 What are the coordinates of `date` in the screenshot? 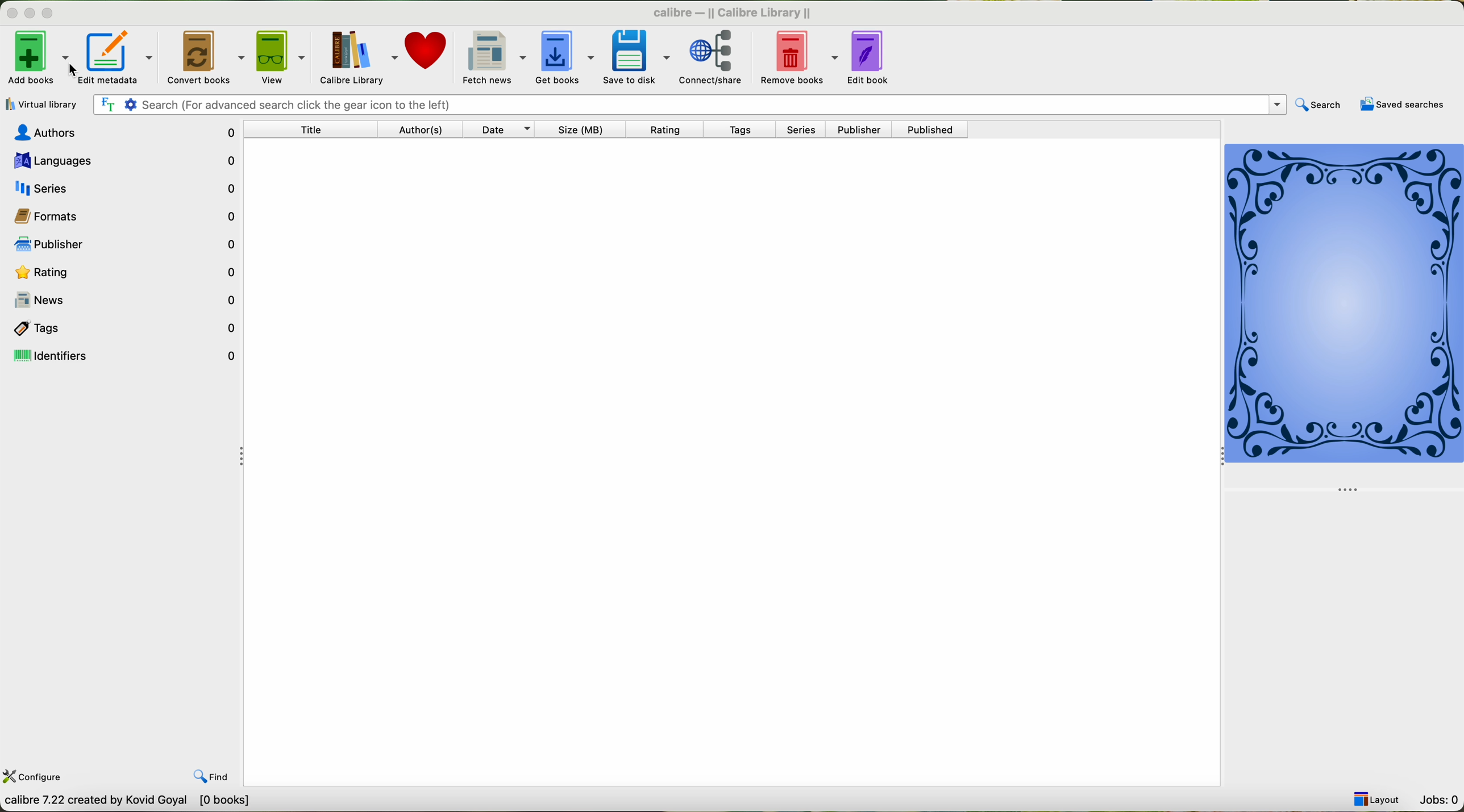 It's located at (504, 130).